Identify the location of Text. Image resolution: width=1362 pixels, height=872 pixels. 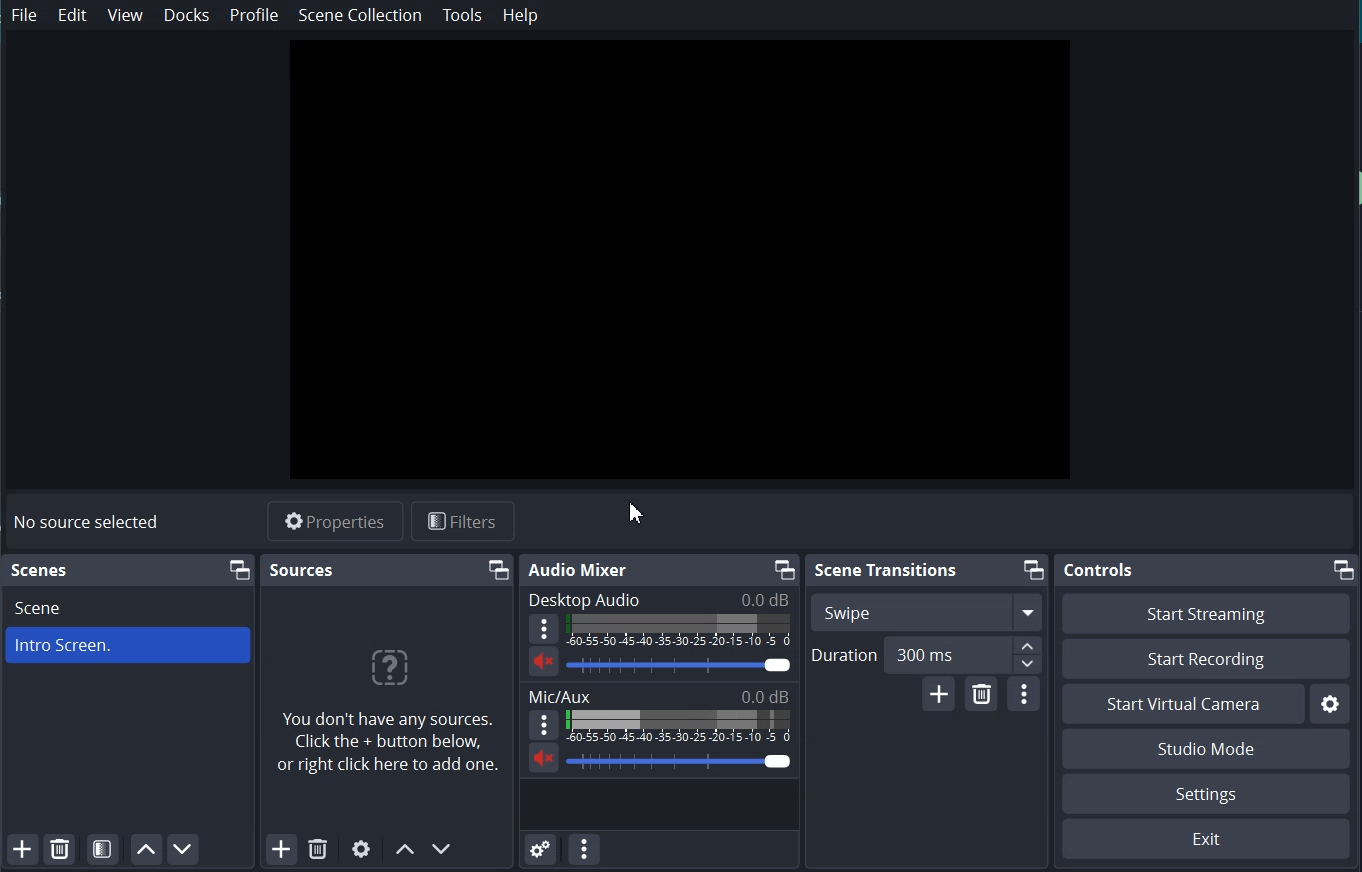
(659, 599).